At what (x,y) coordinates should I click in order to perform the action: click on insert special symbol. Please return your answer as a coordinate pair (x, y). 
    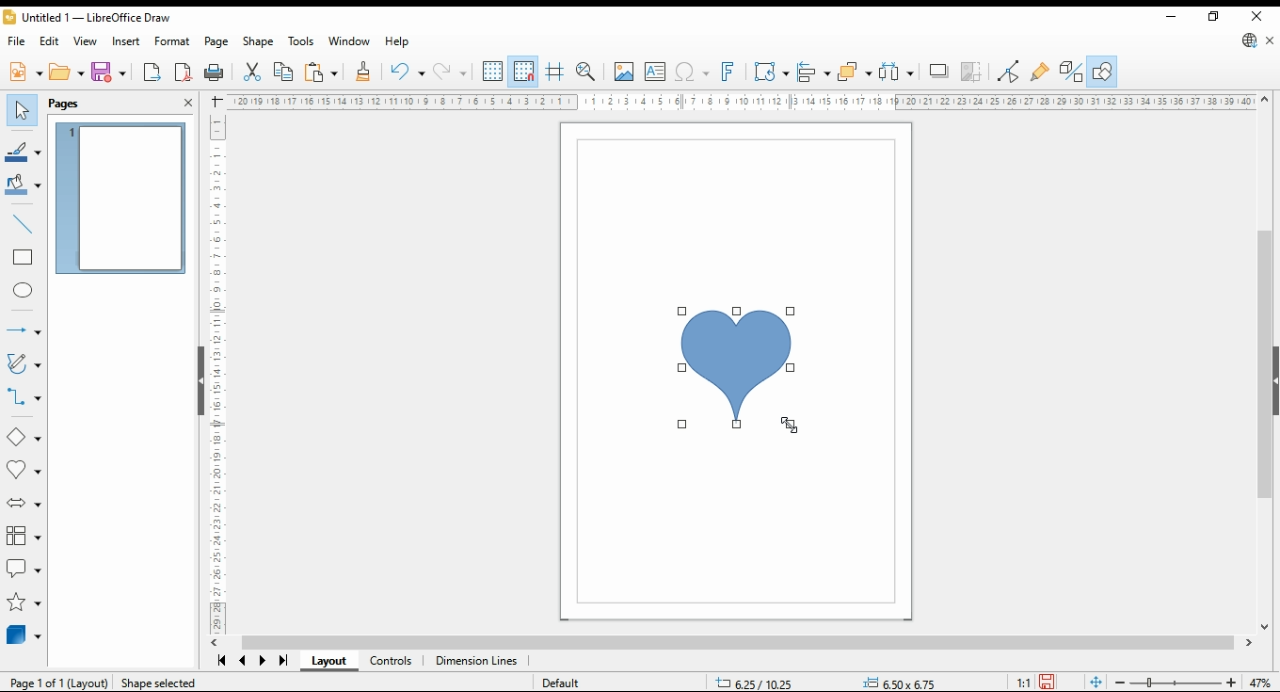
    Looking at the image, I should click on (692, 72).